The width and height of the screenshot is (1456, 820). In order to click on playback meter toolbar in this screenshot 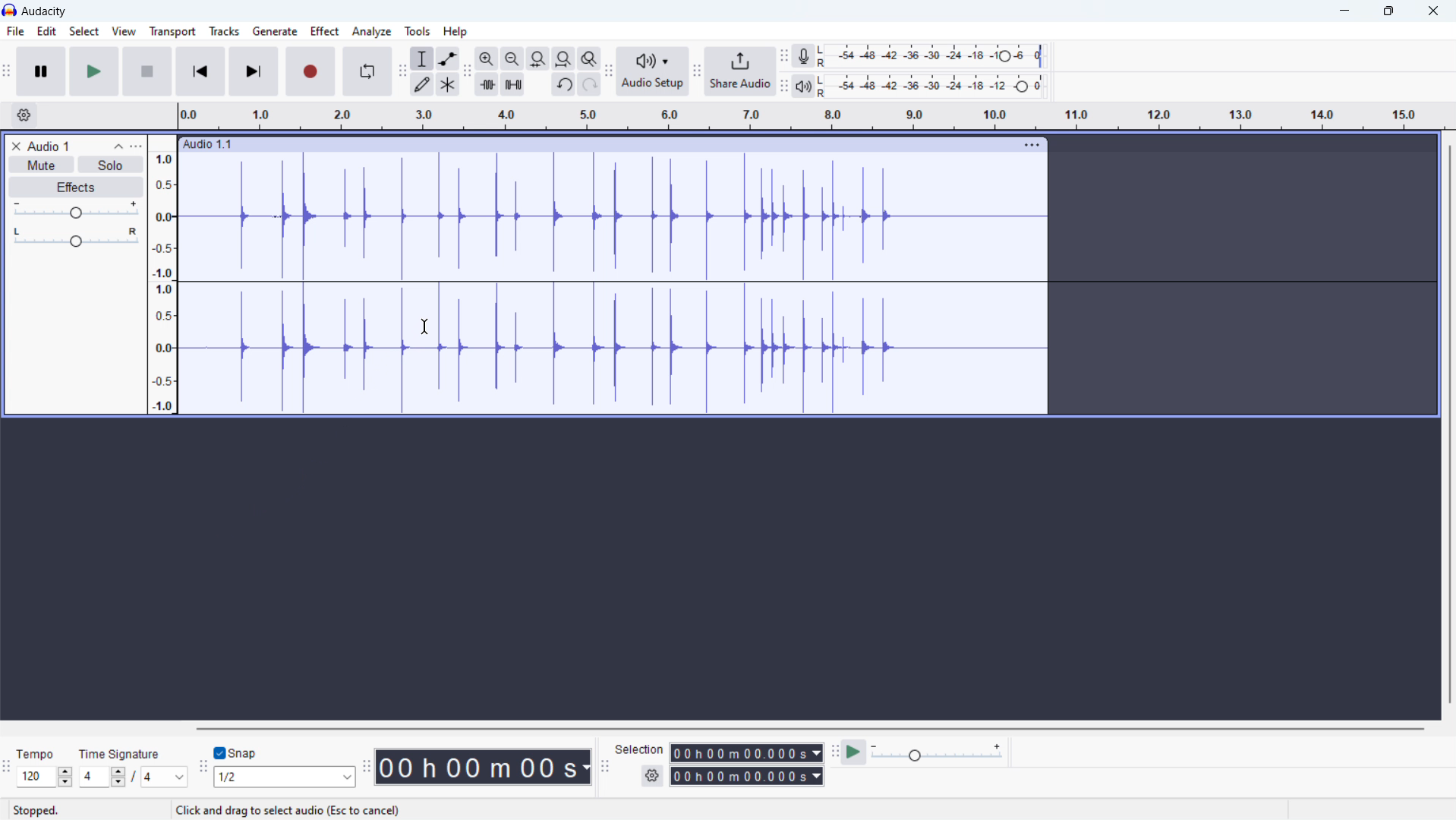, I will do `click(784, 87)`.